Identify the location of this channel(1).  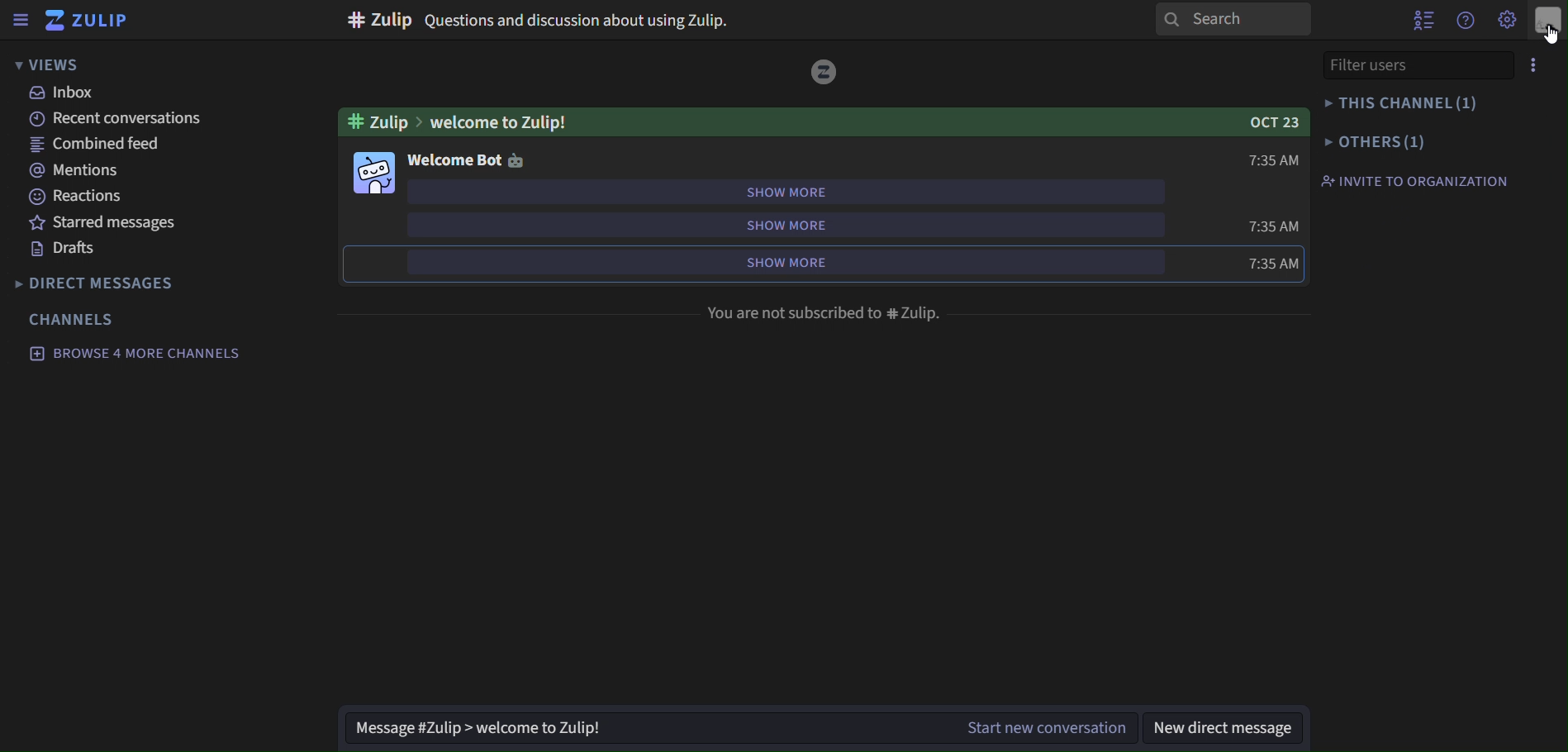
(1404, 103).